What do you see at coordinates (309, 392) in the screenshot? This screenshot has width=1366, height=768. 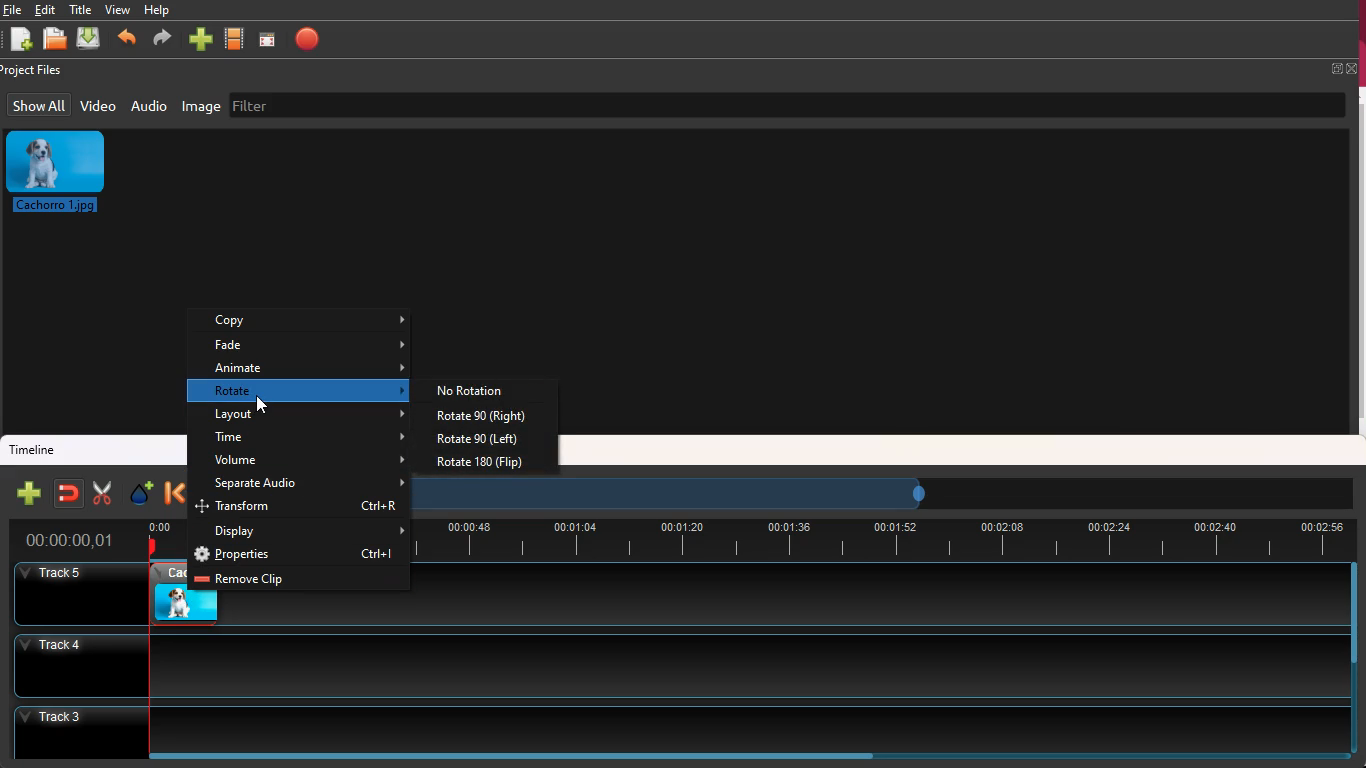 I see `rotate` at bounding box center [309, 392].